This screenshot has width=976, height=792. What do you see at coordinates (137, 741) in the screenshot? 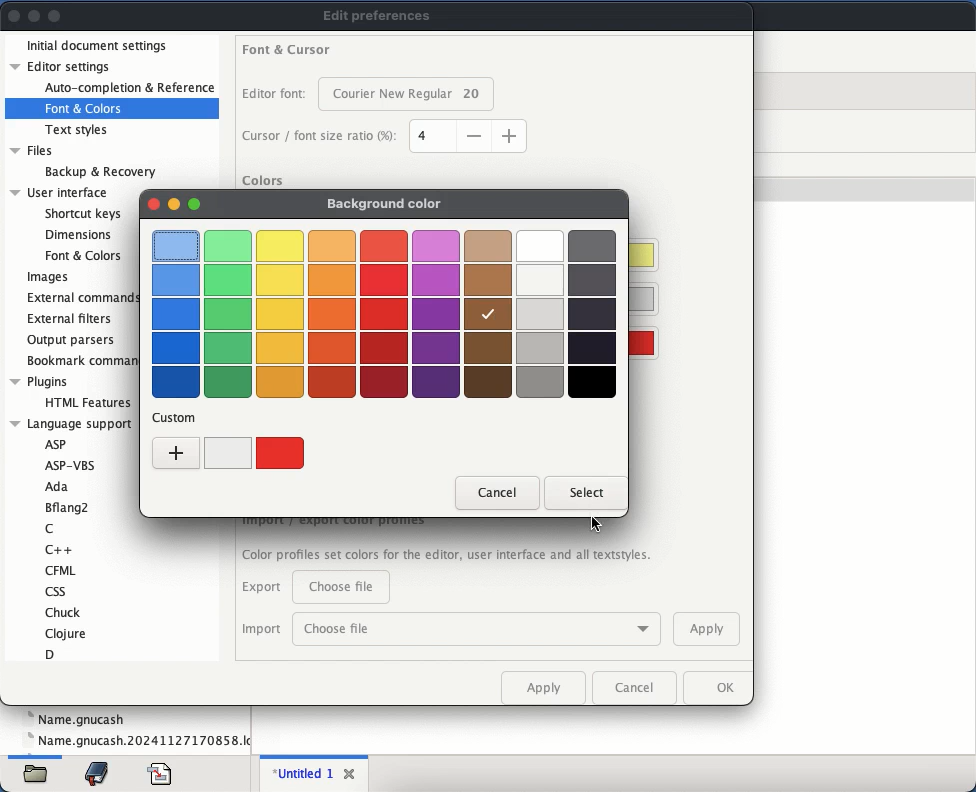
I see `name.gnucash` at bounding box center [137, 741].